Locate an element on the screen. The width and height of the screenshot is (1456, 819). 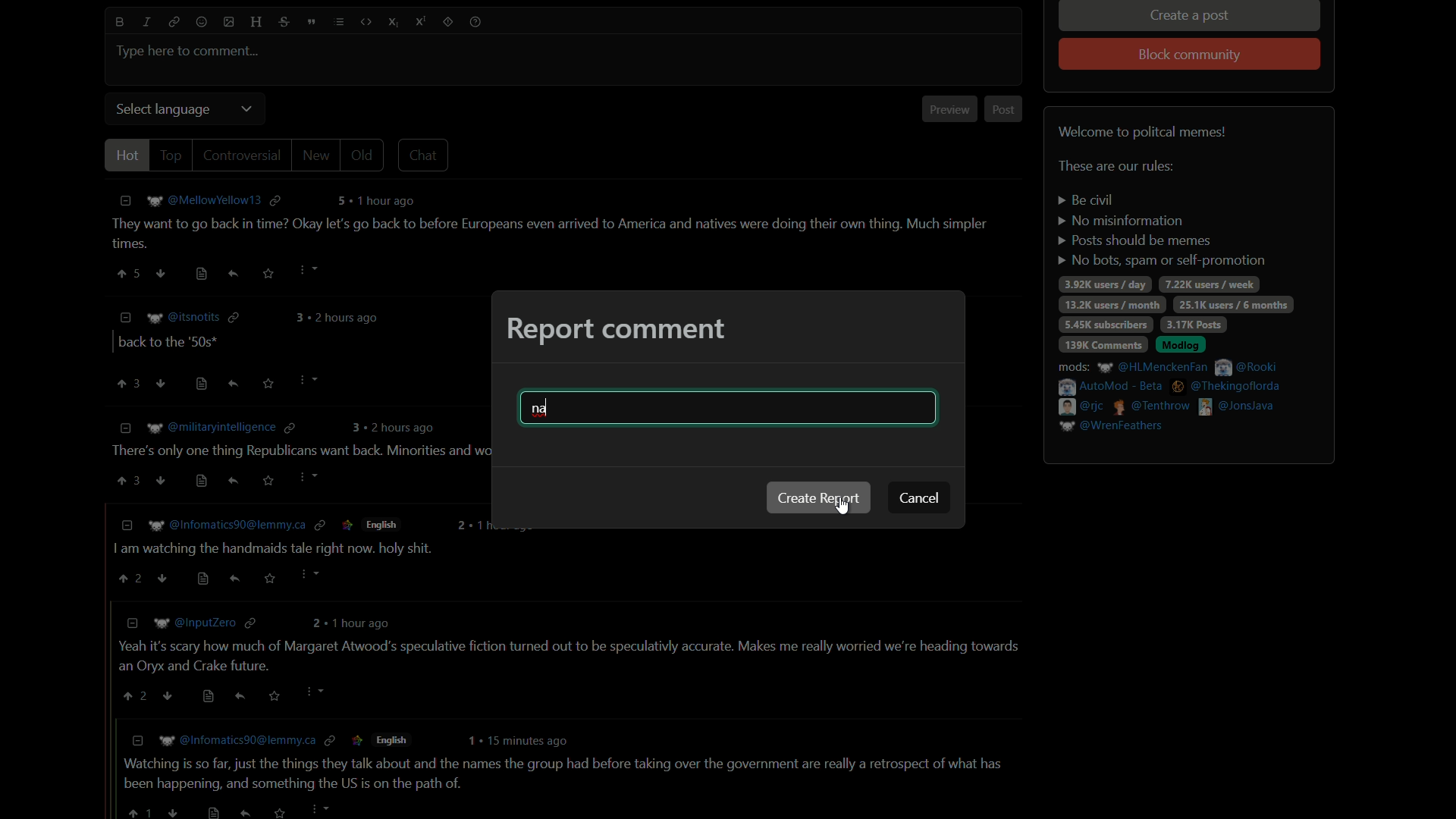
post is located at coordinates (1005, 110).